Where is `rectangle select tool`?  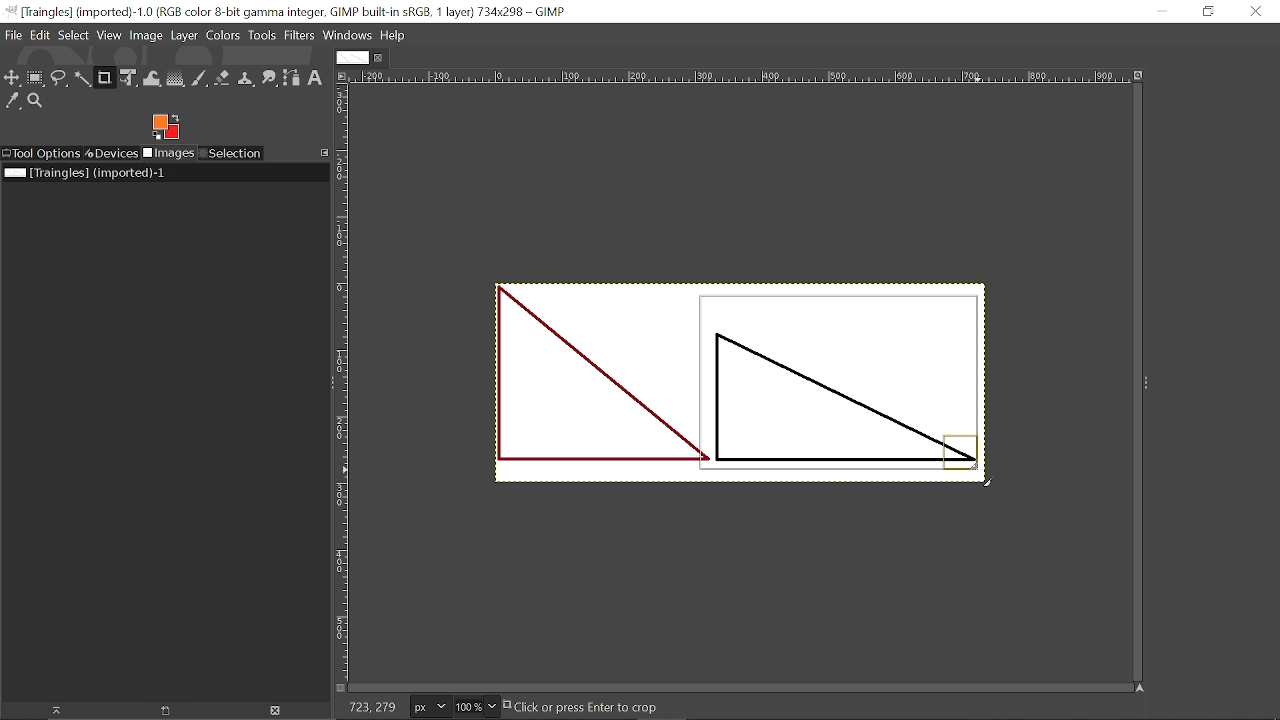
rectangle select tool is located at coordinates (37, 78).